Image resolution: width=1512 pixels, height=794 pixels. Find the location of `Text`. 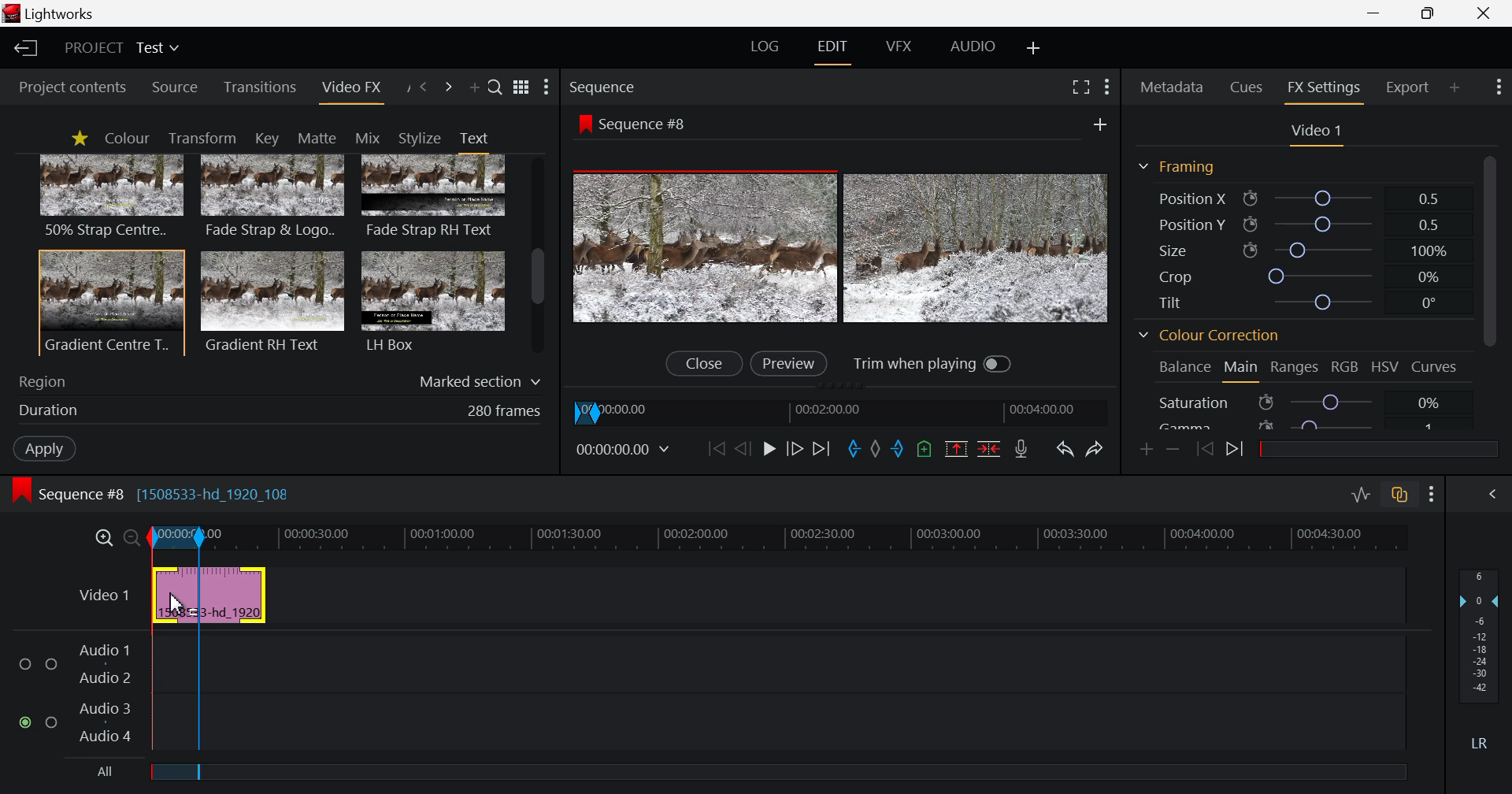

Text is located at coordinates (473, 138).